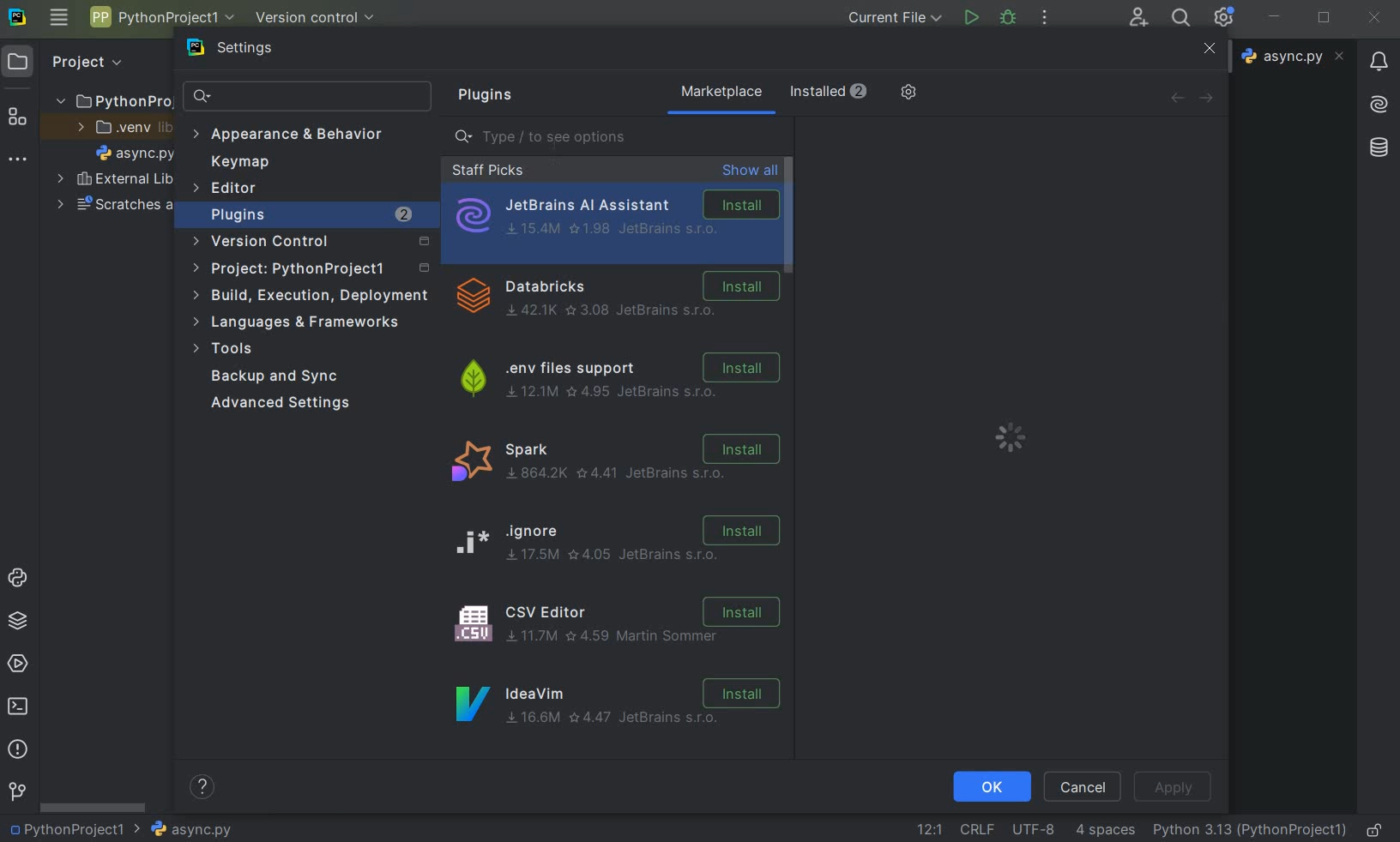 This screenshot has height=842, width=1400. What do you see at coordinates (827, 92) in the screenshot?
I see `installed (2)` at bounding box center [827, 92].